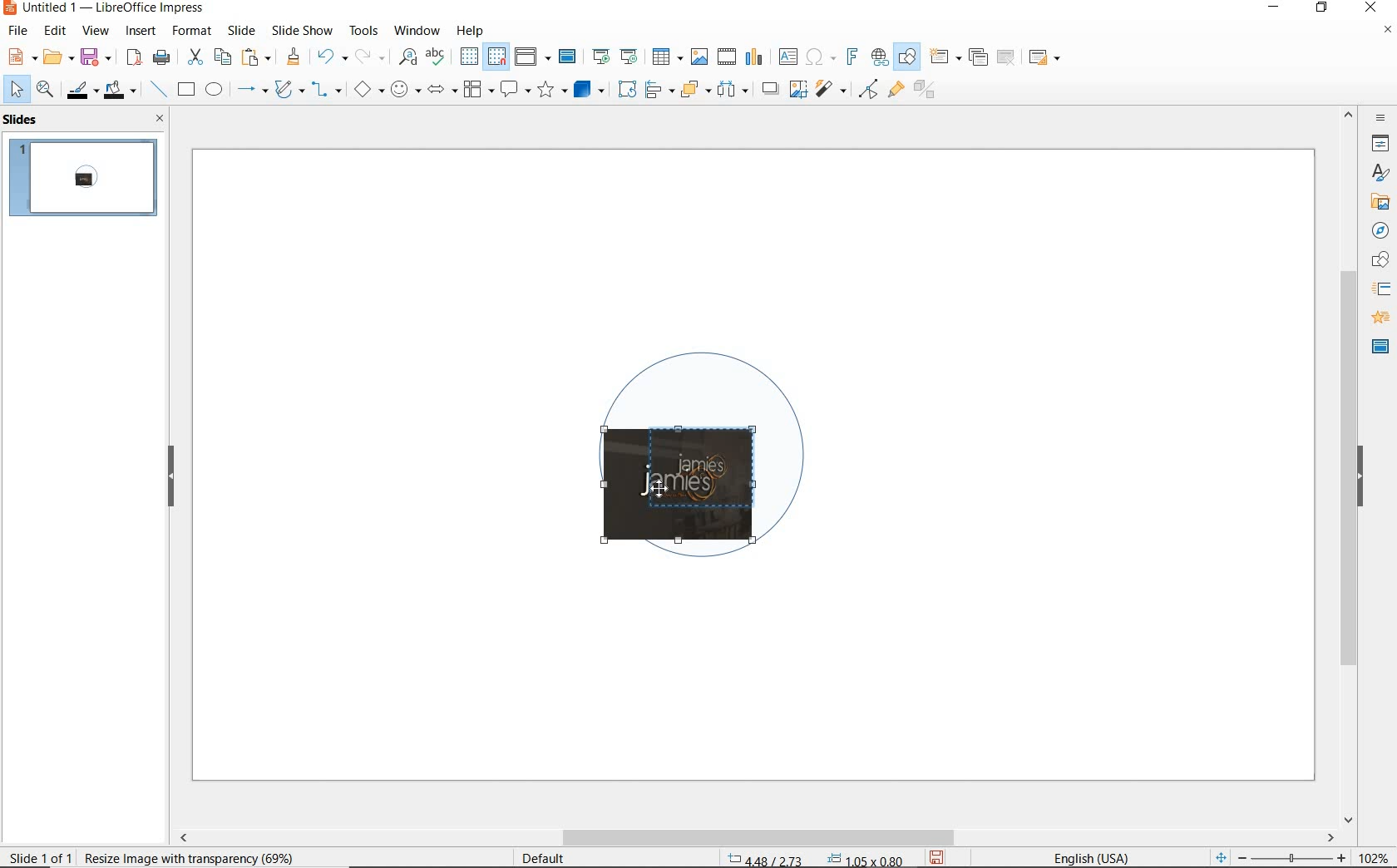 Image resolution: width=1397 pixels, height=868 pixels. Describe the element at coordinates (1360, 478) in the screenshot. I see `hide` at that location.